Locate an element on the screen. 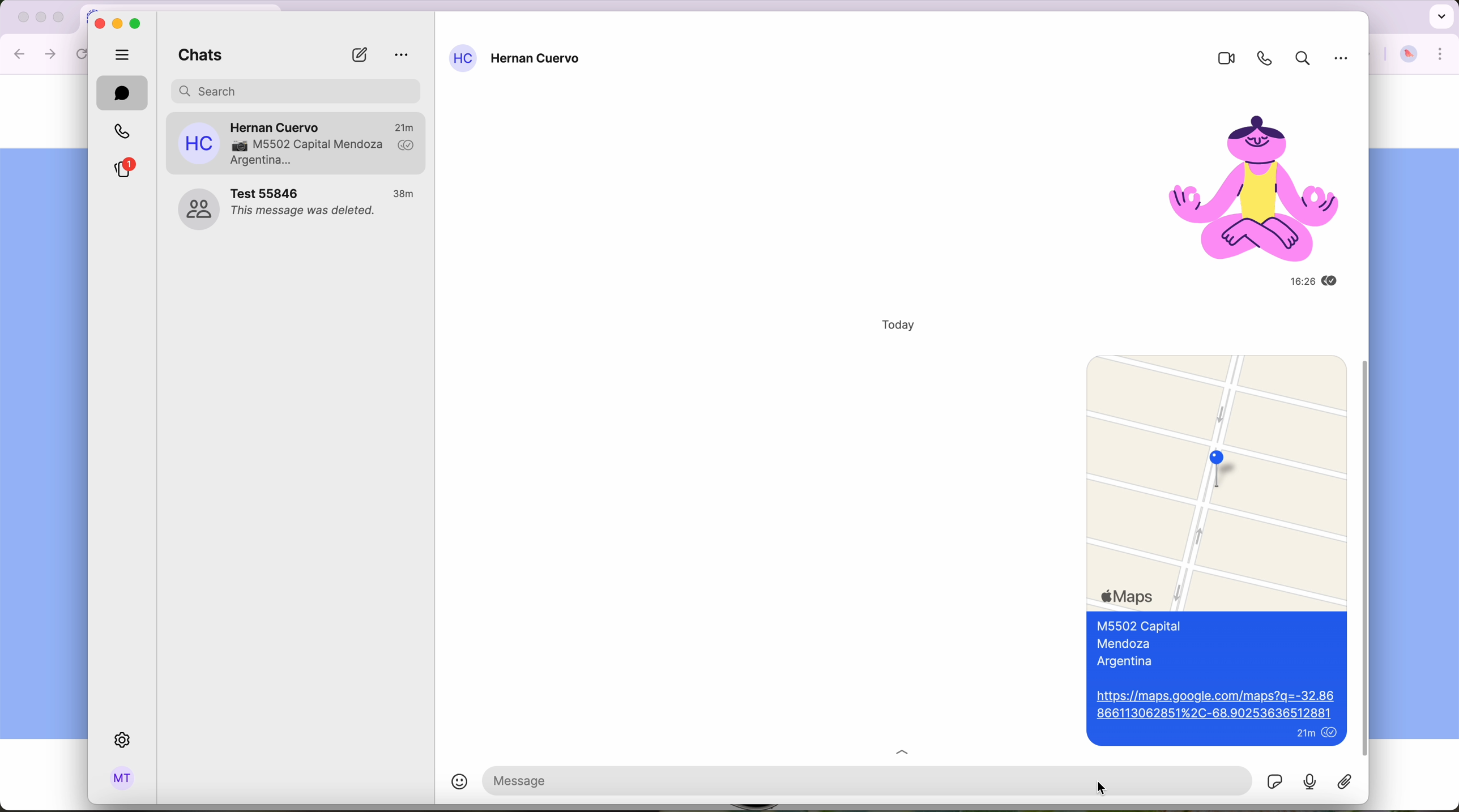 Image resolution: width=1459 pixels, height=812 pixels. 16:26 is located at coordinates (1289, 281).